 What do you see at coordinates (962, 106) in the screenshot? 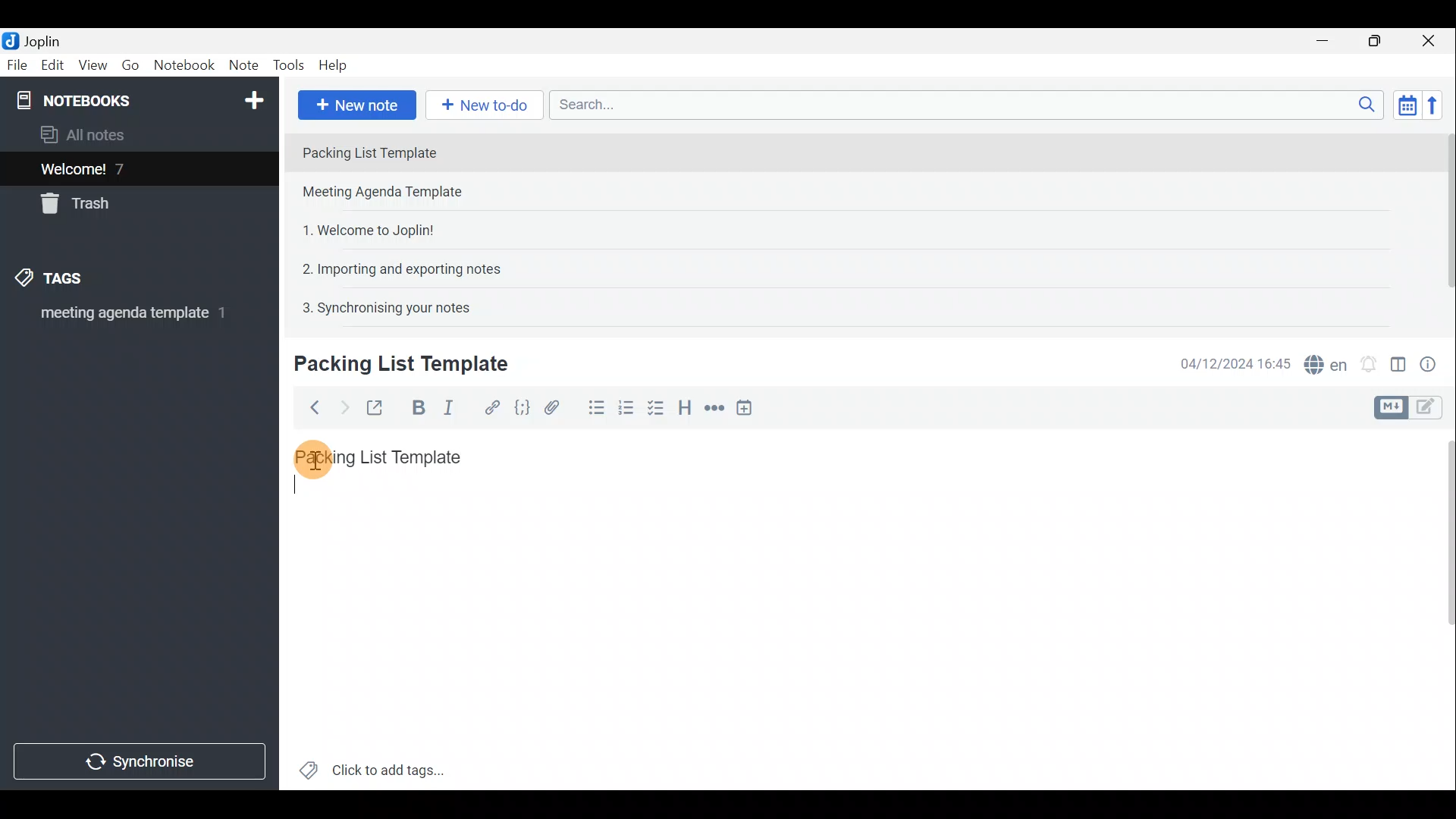
I see `Search bar` at bounding box center [962, 106].